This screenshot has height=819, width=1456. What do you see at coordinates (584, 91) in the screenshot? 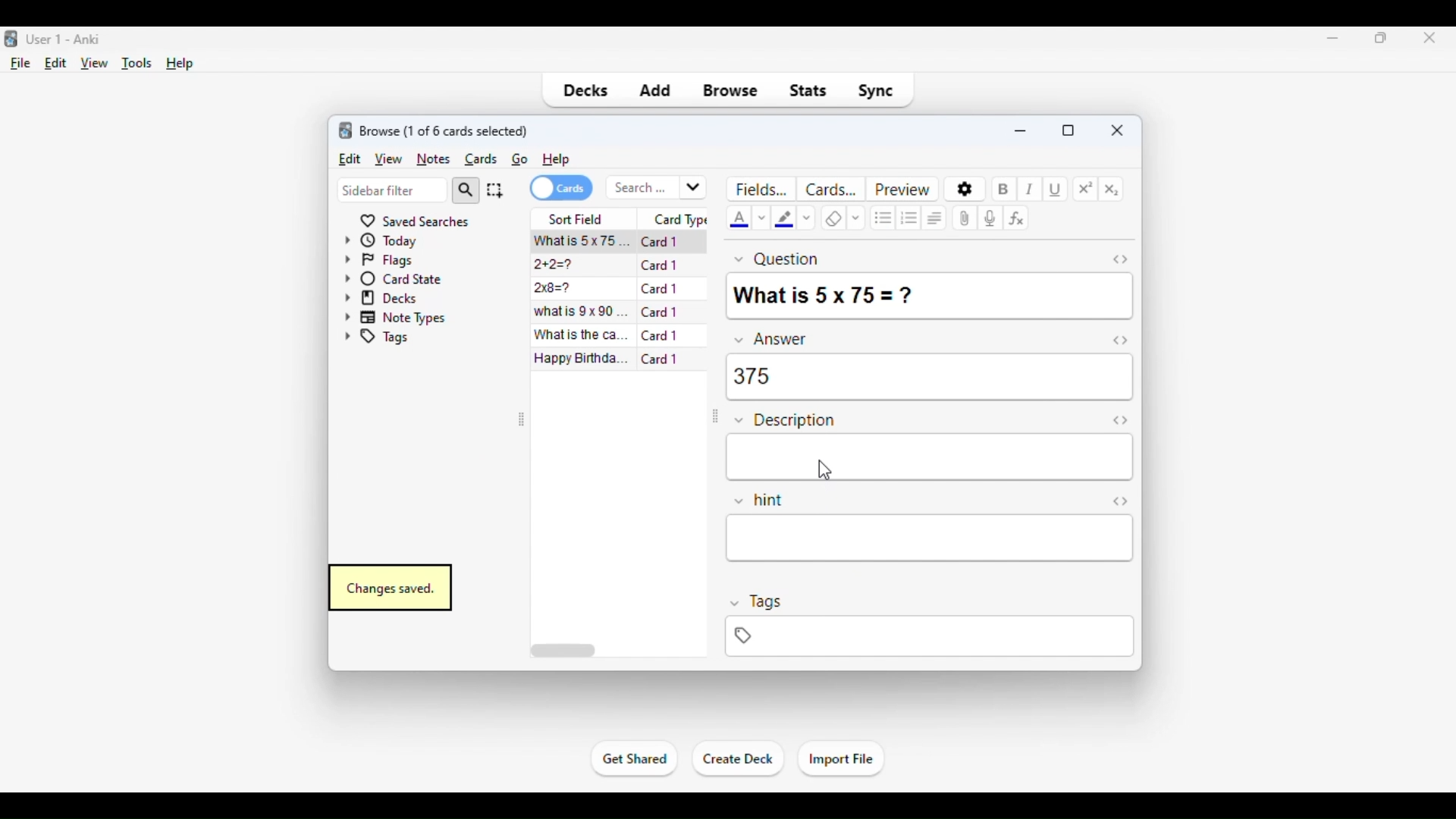
I see `decks` at bounding box center [584, 91].